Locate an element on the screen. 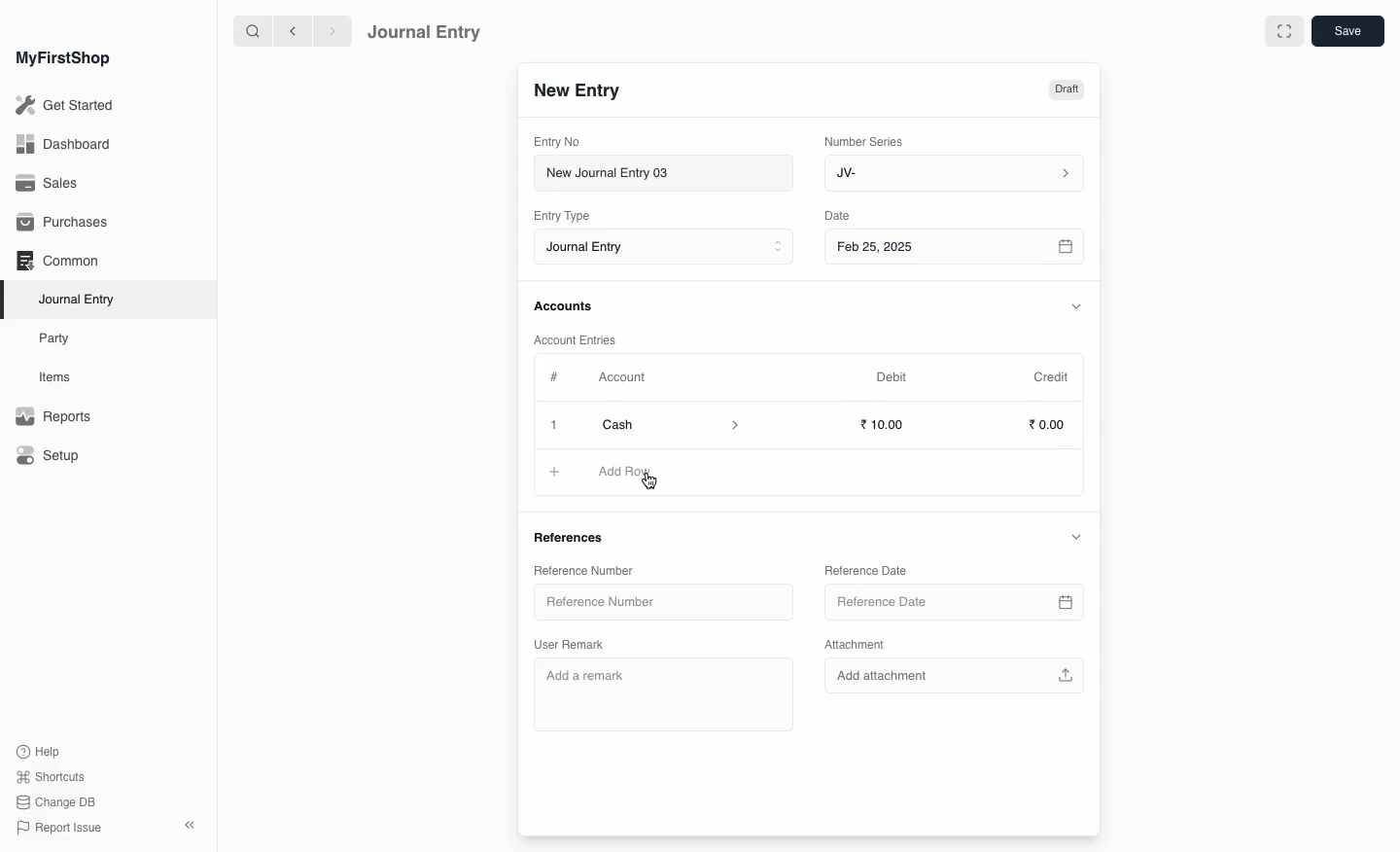 This screenshot has height=852, width=1400. Cash is located at coordinates (670, 424).